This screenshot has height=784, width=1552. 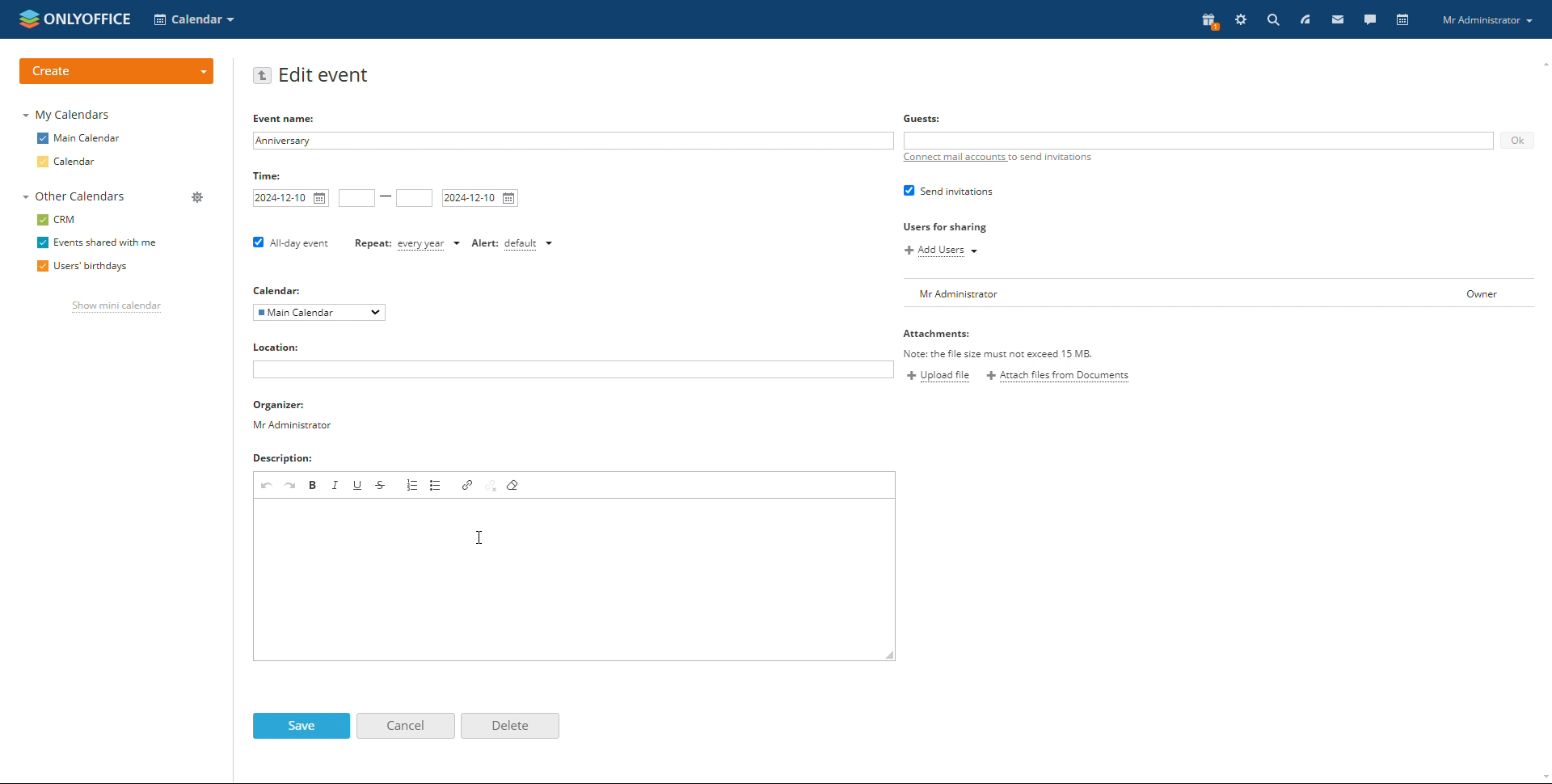 What do you see at coordinates (415, 198) in the screenshot?
I see `end time` at bounding box center [415, 198].